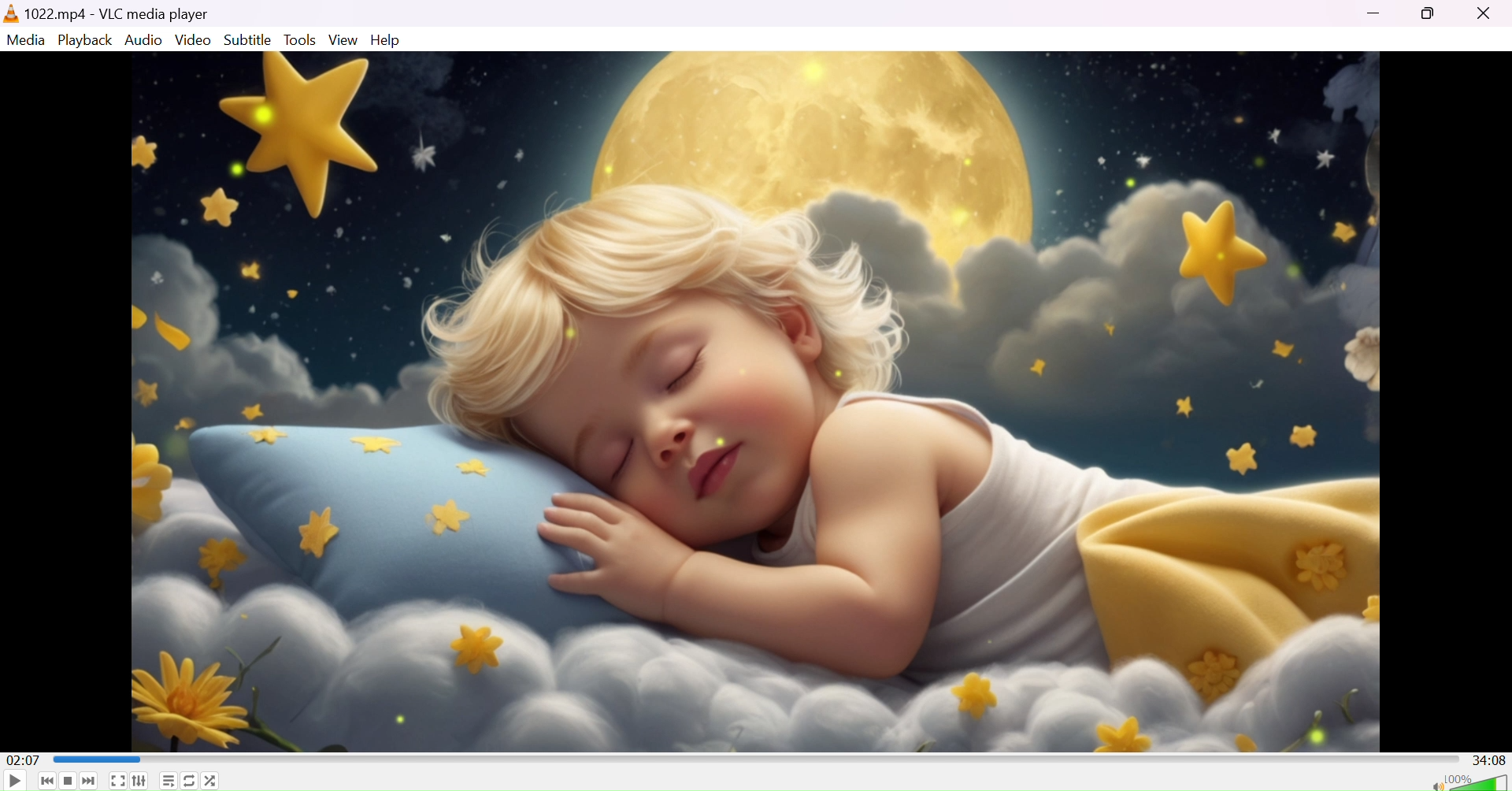  Describe the element at coordinates (106, 13) in the screenshot. I see `1022.mp4 - VLC media player` at that location.